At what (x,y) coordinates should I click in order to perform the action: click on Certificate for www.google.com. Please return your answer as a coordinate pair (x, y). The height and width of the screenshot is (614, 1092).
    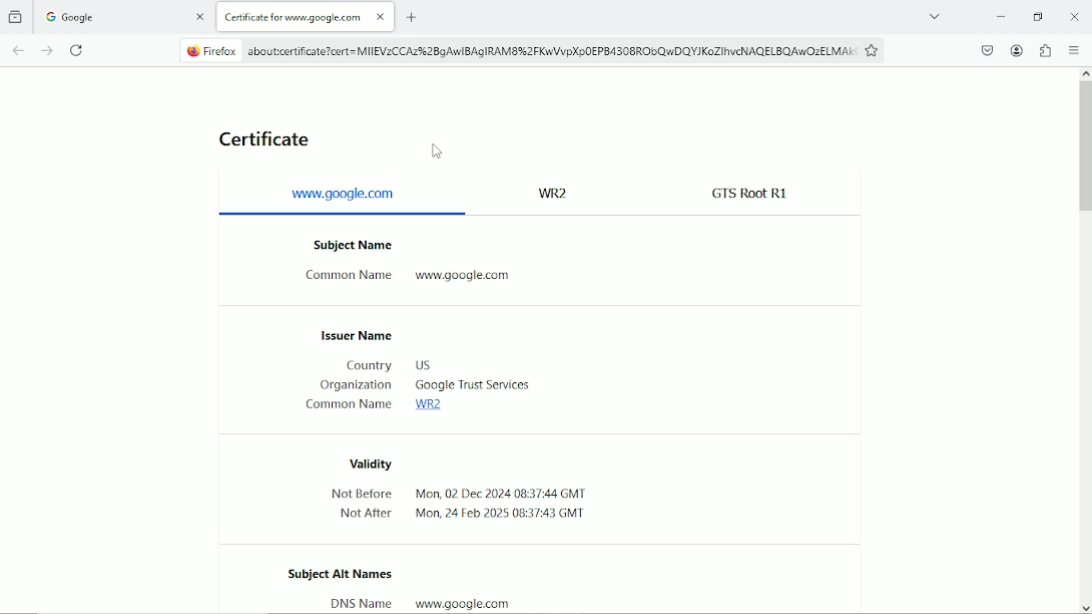
    Looking at the image, I should click on (306, 16).